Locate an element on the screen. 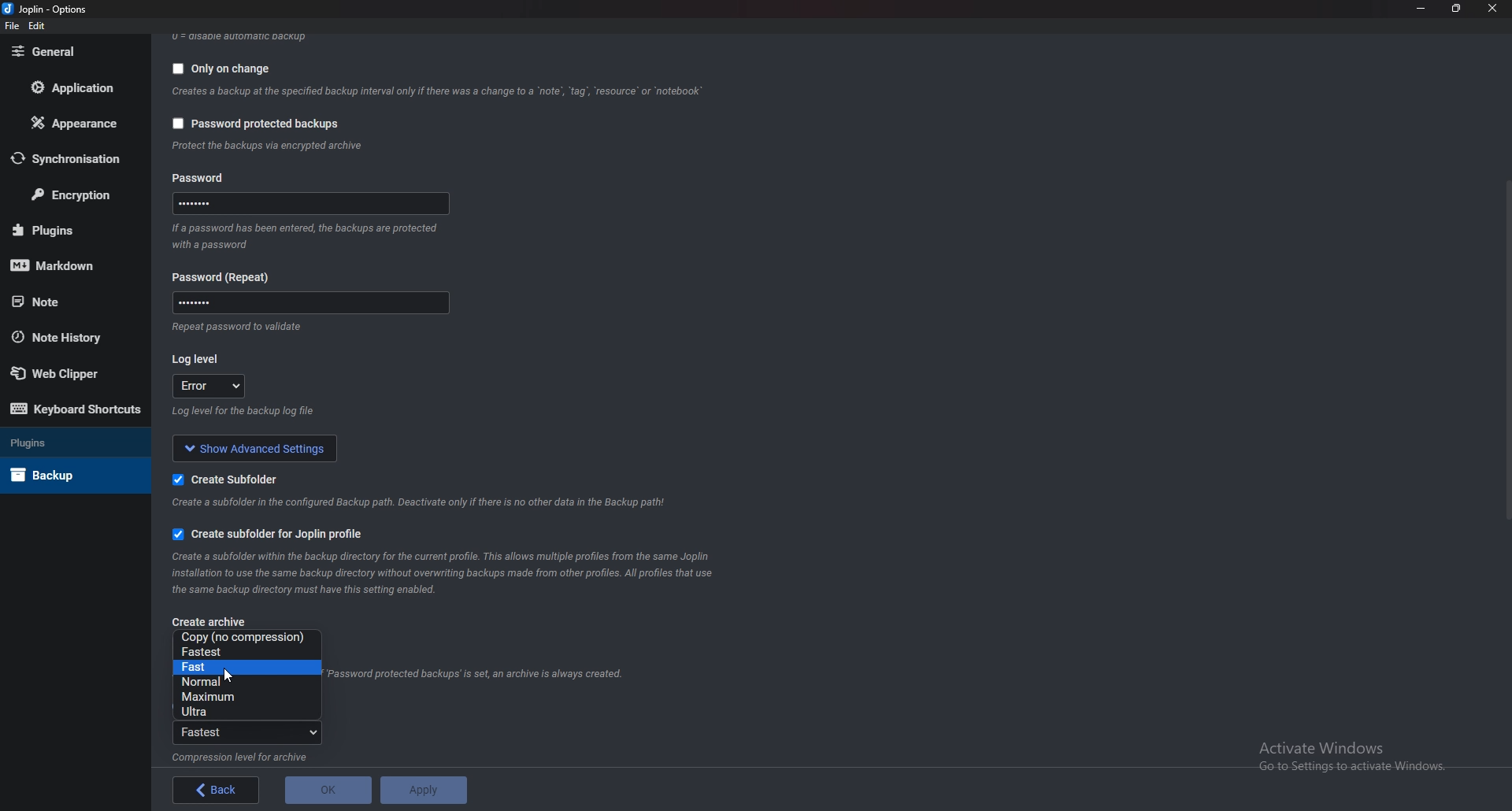 The image size is (1512, 811). close is located at coordinates (1495, 8).